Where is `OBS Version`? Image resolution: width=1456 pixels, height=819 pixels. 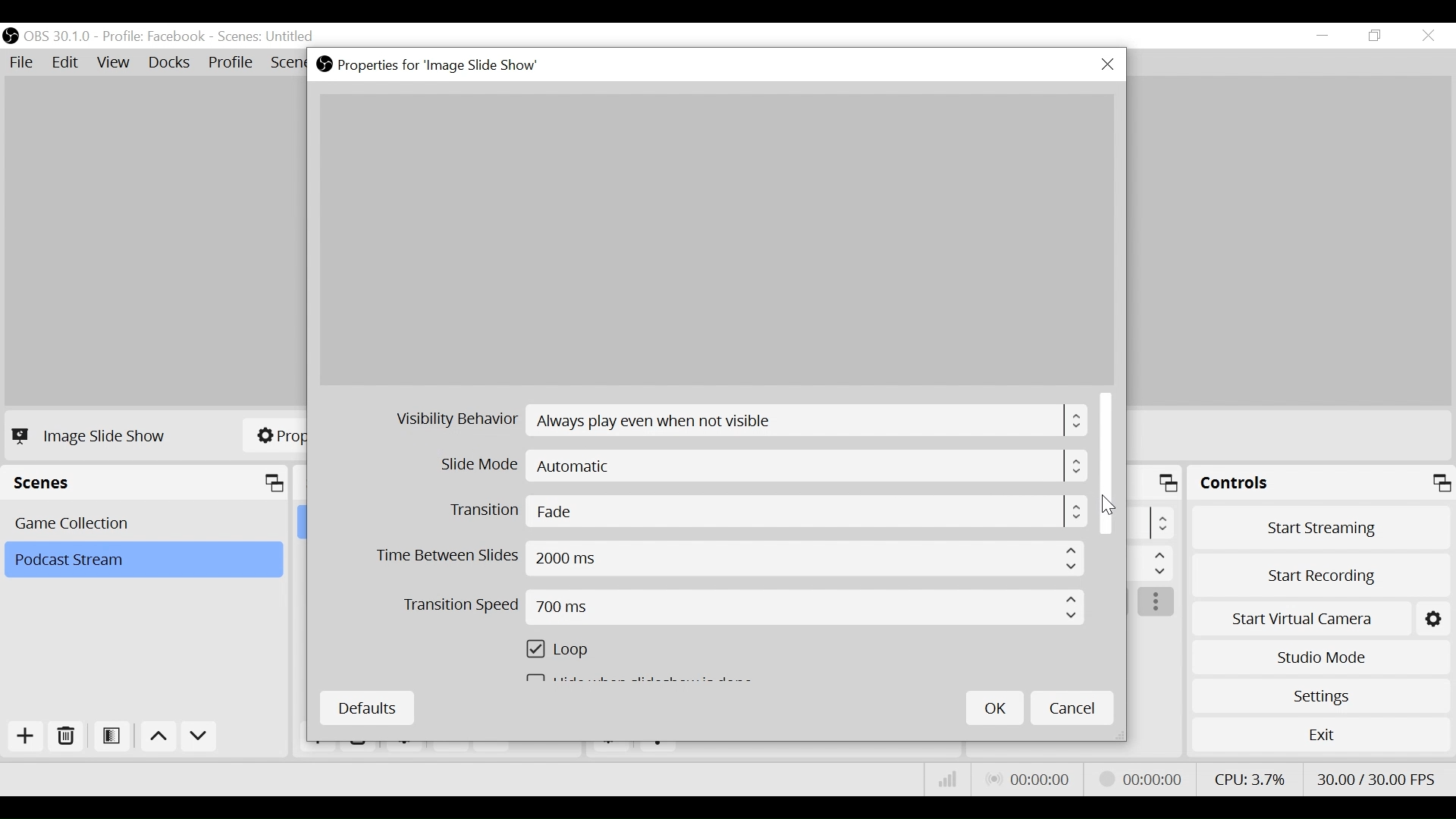
OBS Version is located at coordinates (60, 36).